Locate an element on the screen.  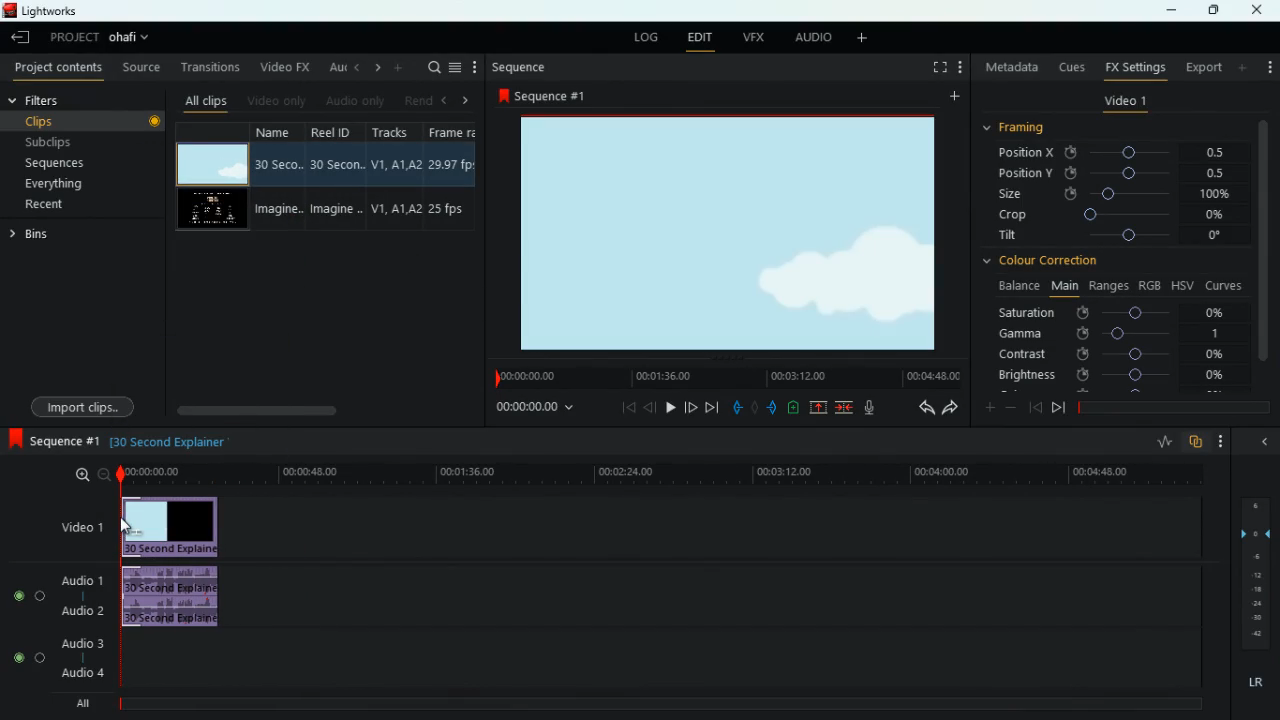
vertical scroll bar is located at coordinates (1263, 248).